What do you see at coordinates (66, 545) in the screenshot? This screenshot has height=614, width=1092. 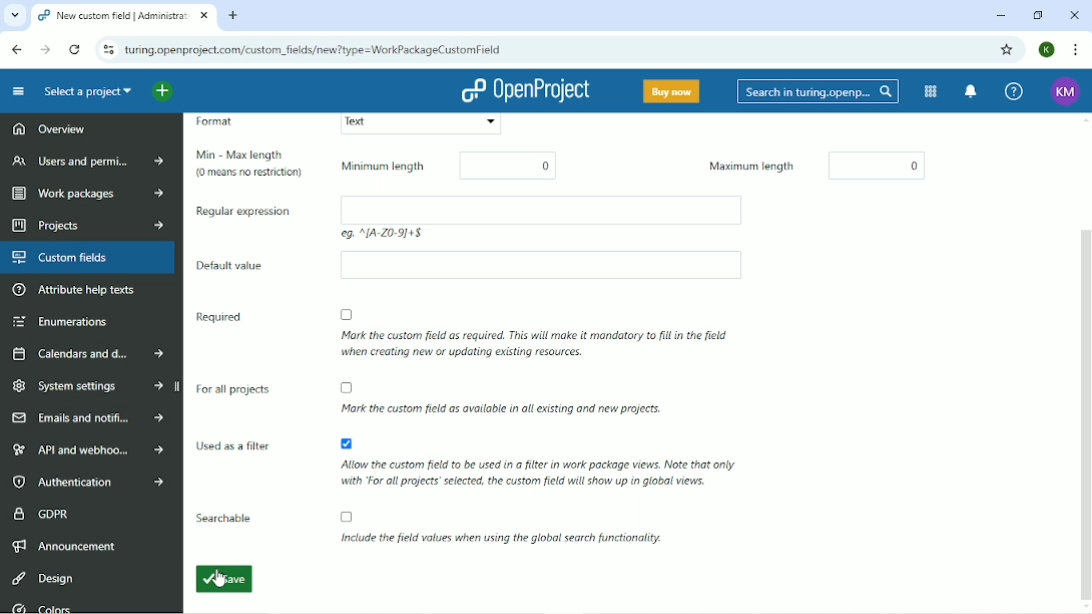 I see `Announcement` at bounding box center [66, 545].